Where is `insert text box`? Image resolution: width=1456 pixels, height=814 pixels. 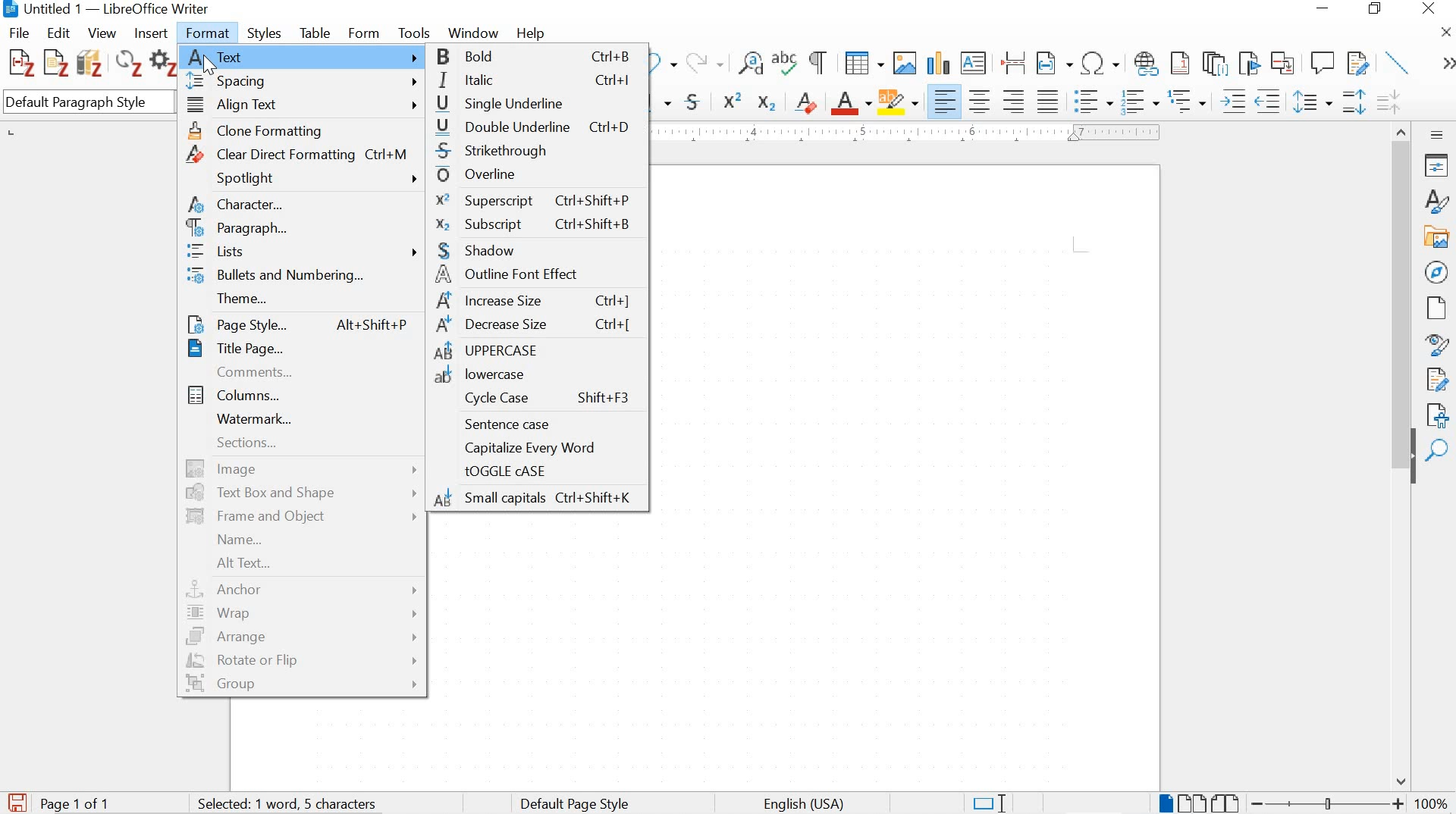 insert text box is located at coordinates (974, 64).